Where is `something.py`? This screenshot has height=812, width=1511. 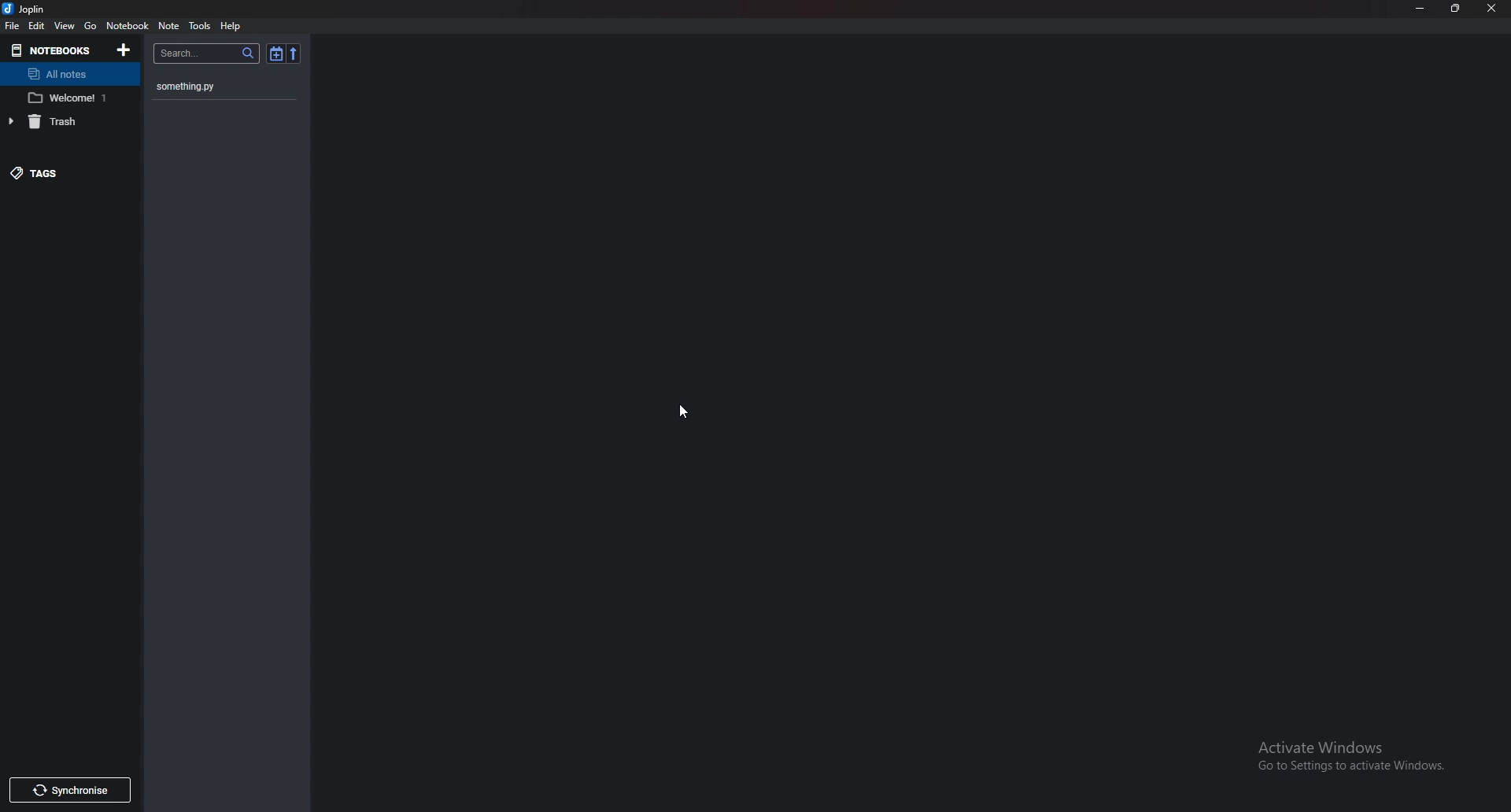
something.py is located at coordinates (216, 87).